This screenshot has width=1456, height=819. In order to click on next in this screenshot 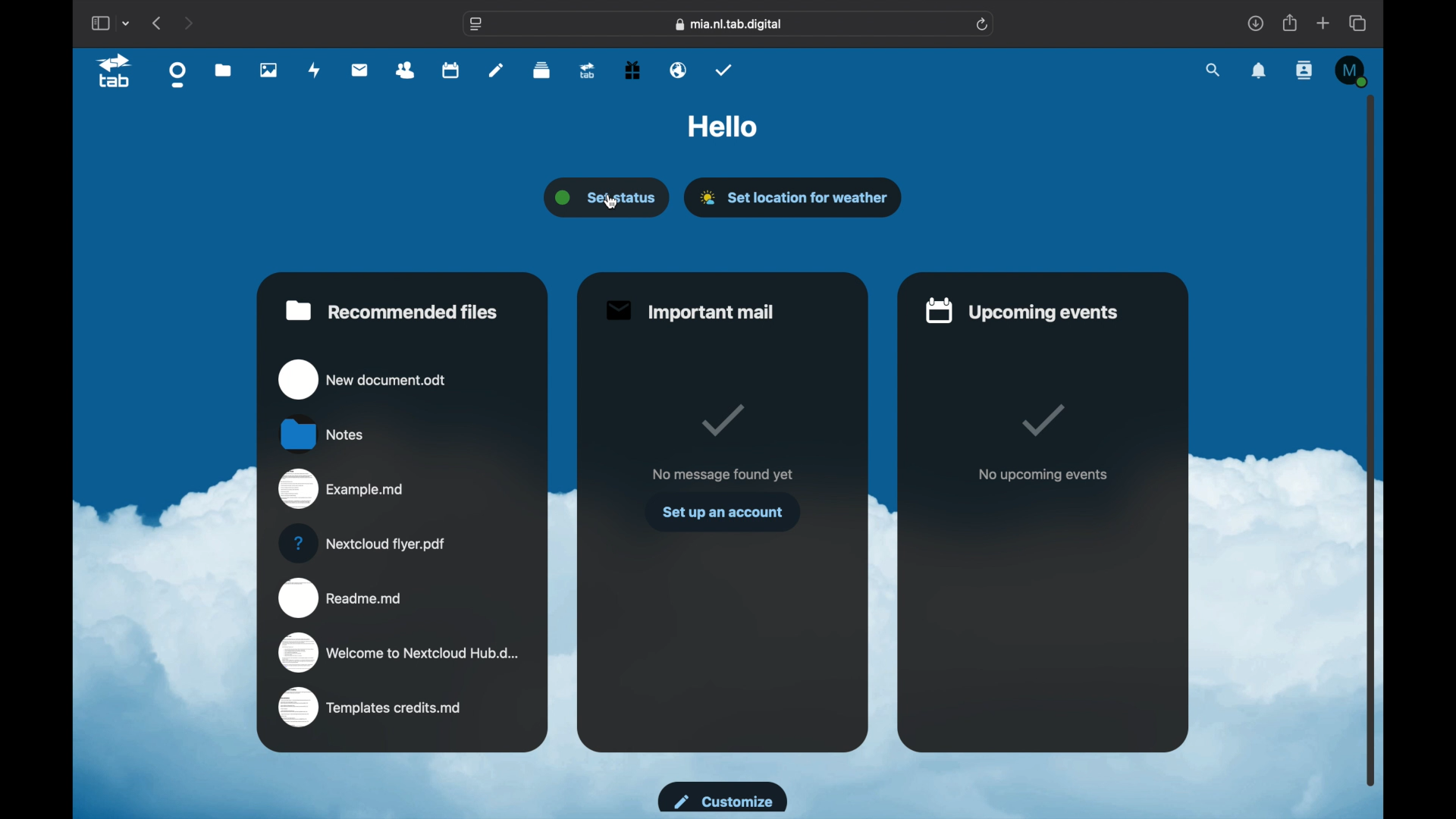, I will do `click(188, 23)`.